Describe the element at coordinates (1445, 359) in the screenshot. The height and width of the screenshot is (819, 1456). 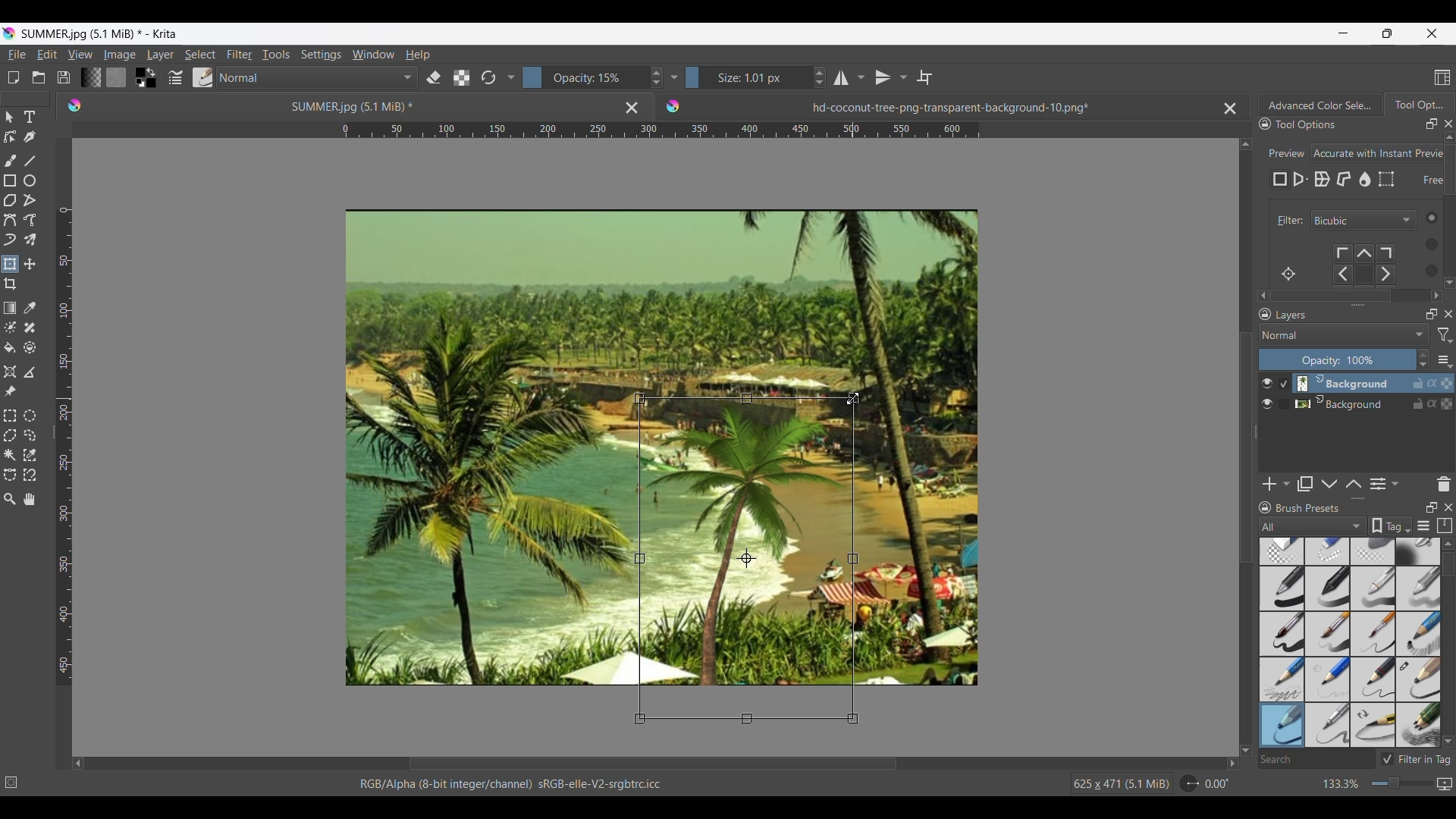
I see `Thumbnail size options` at that location.